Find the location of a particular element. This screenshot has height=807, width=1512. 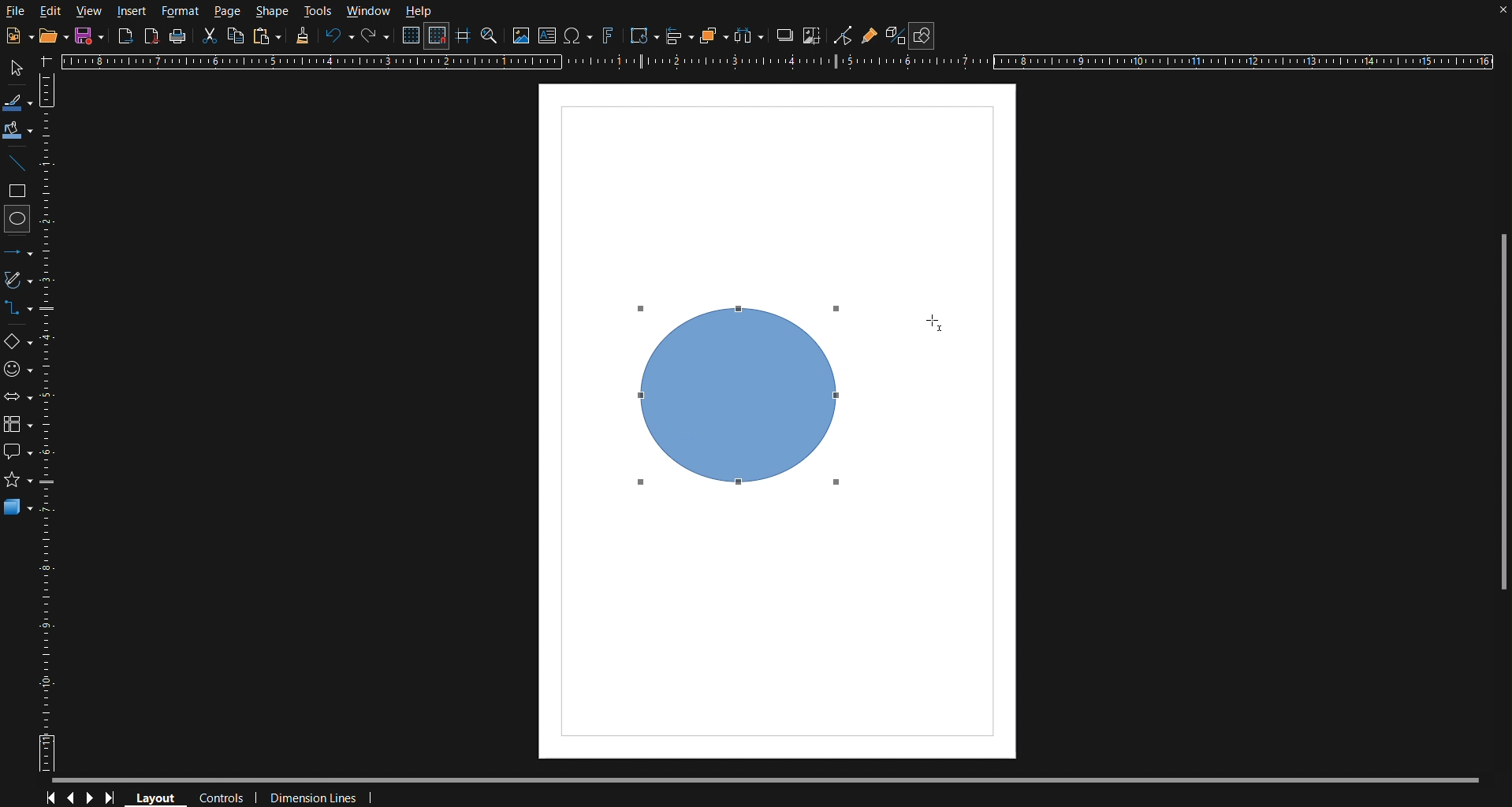

Format is located at coordinates (184, 9).